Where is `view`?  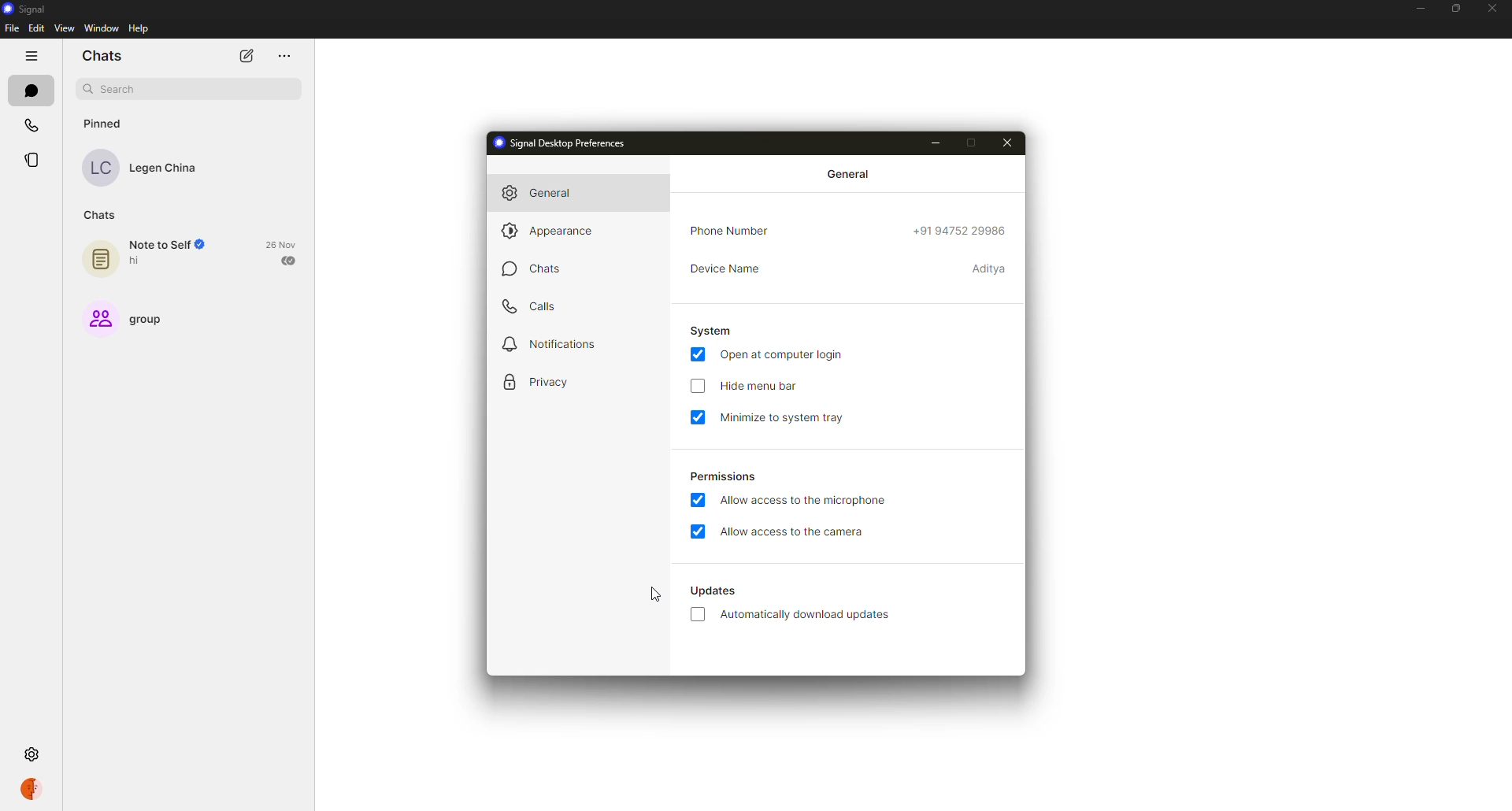 view is located at coordinates (65, 28).